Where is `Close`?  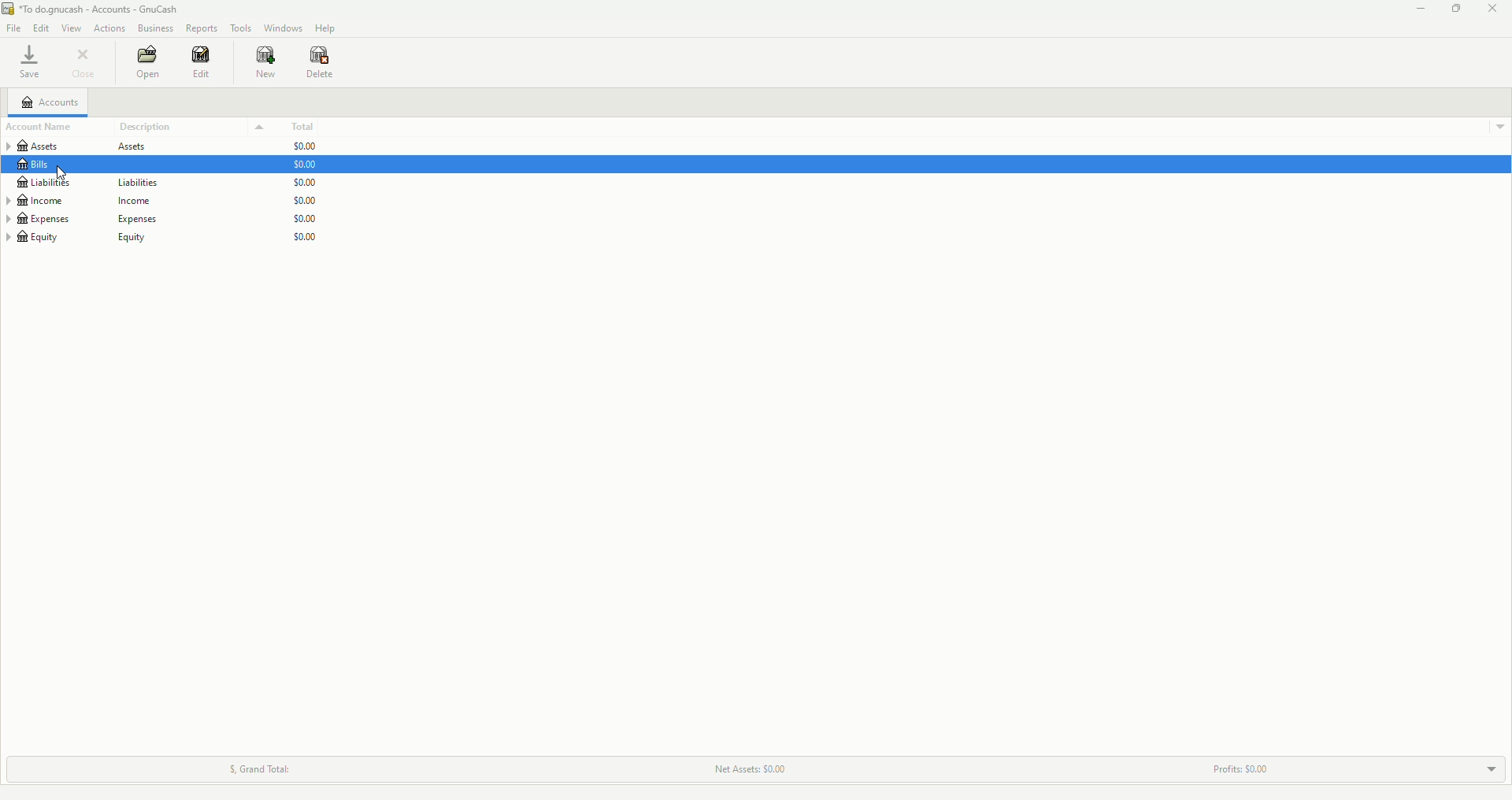
Close is located at coordinates (1495, 9).